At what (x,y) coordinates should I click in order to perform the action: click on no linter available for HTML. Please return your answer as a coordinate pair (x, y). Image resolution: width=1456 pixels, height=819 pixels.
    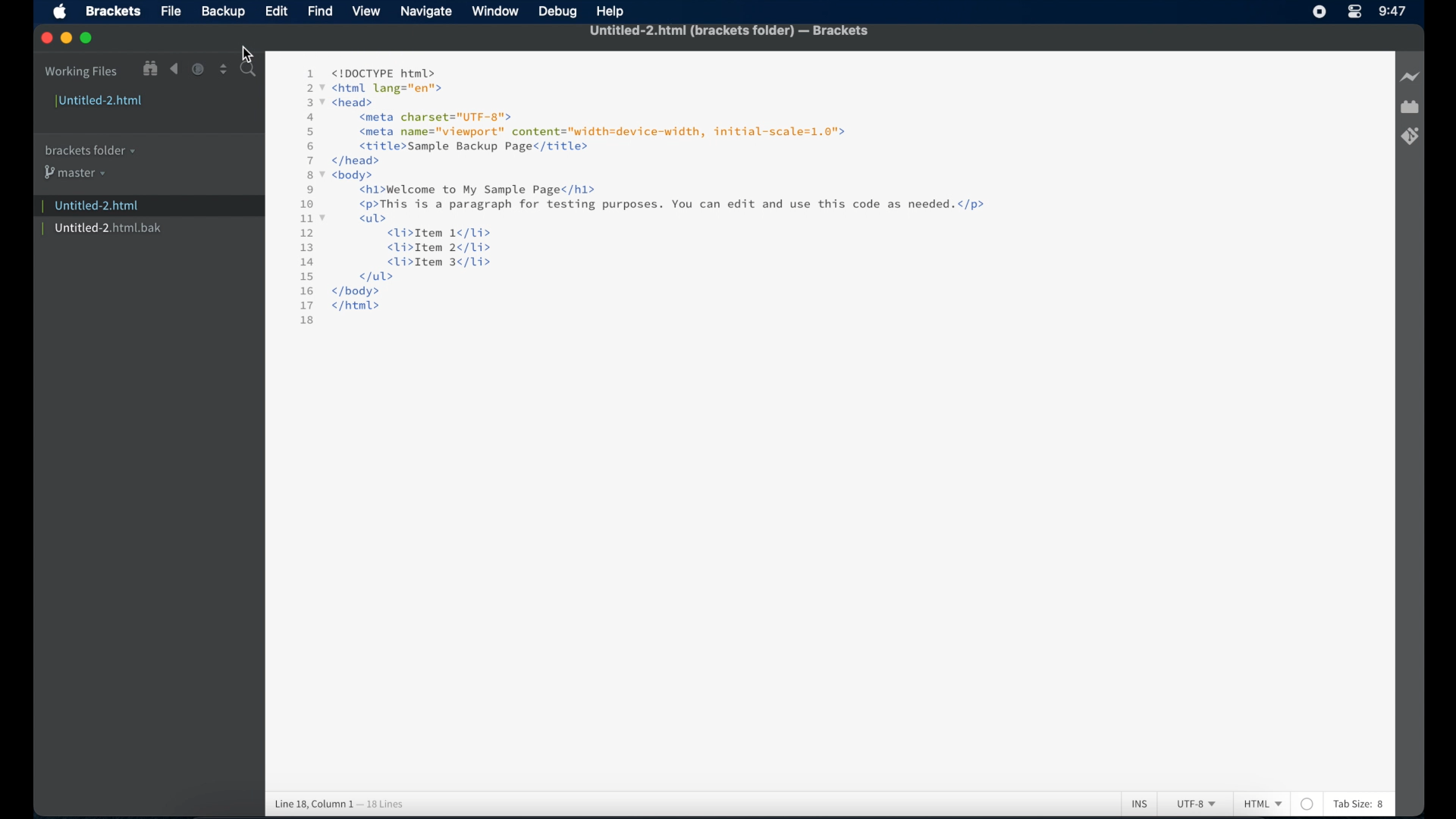
    Looking at the image, I should click on (1307, 804).